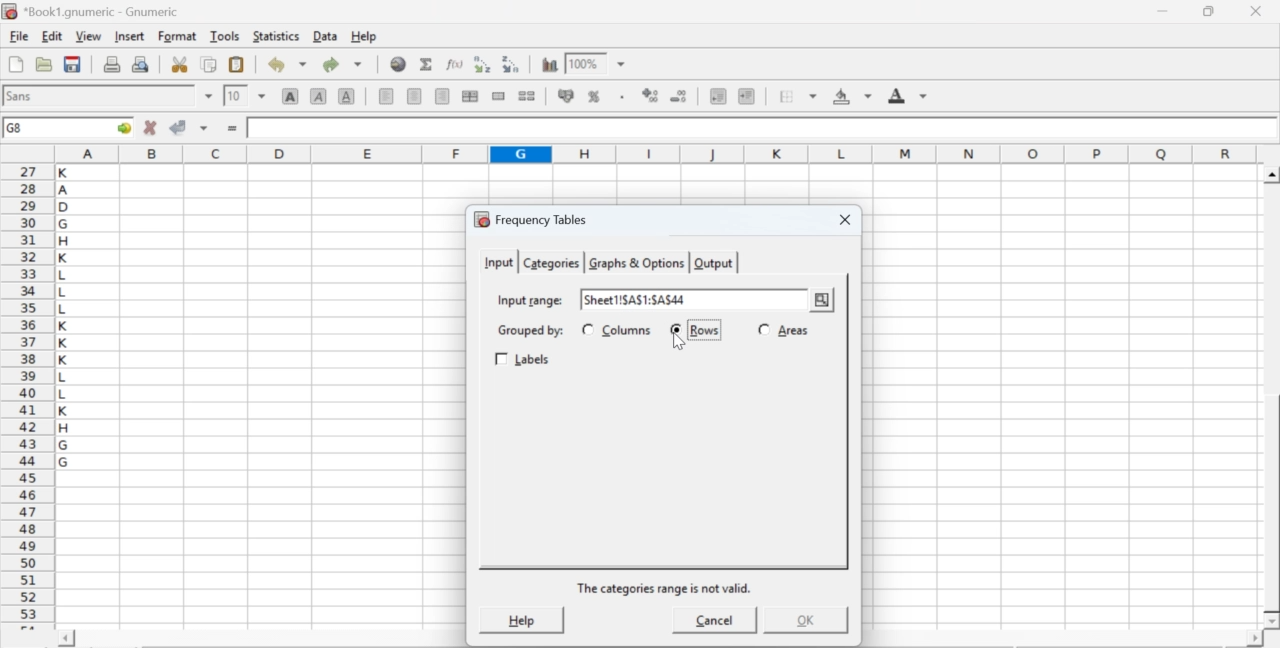 Image resolution: width=1280 pixels, height=648 pixels. What do you see at coordinates (793, 330) in the screenshot?
I see `areas` at bounding box center [793, 330].